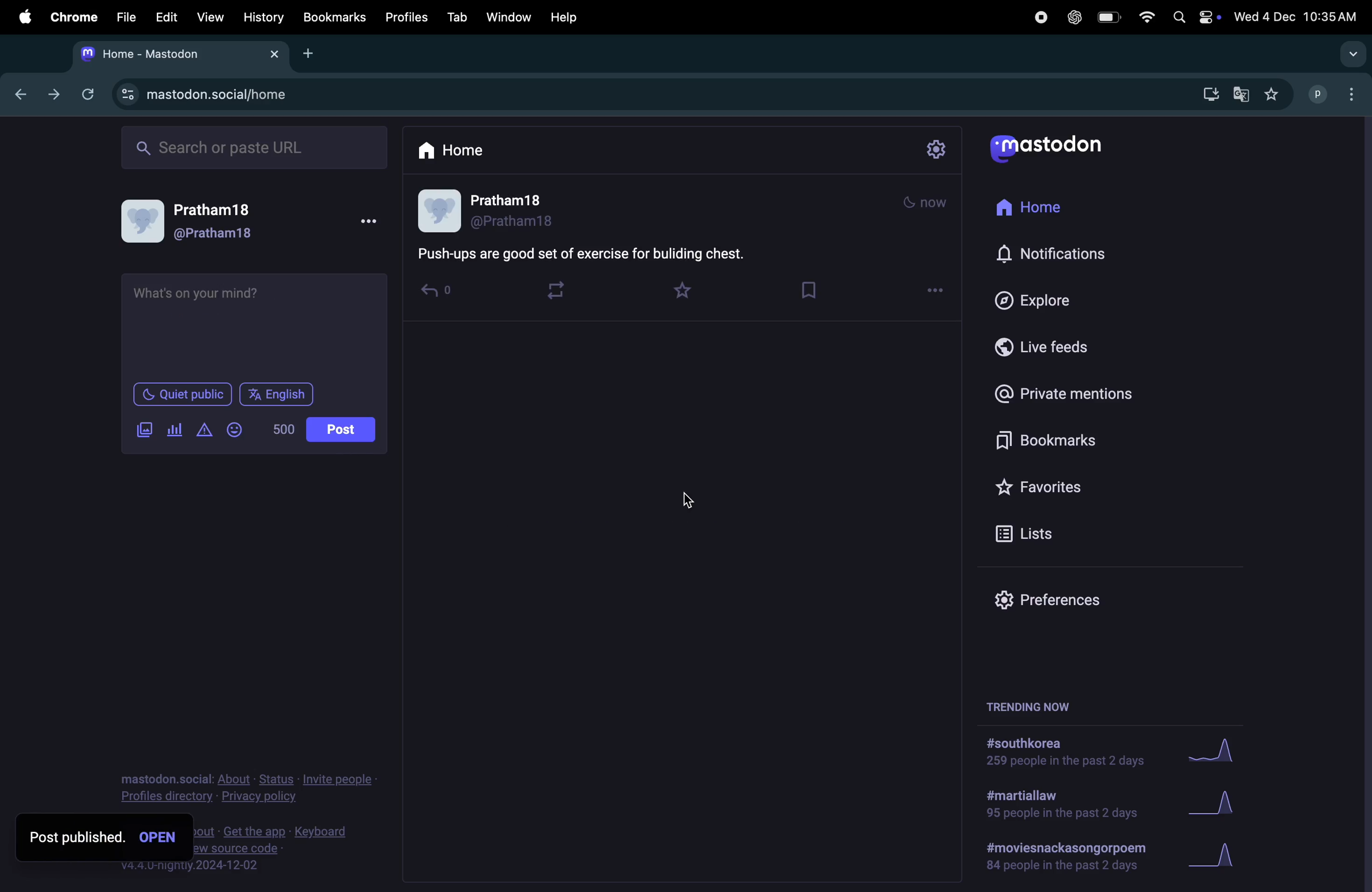 The image size is (1372, 892). I want to click on user profile, so click(491, 210).